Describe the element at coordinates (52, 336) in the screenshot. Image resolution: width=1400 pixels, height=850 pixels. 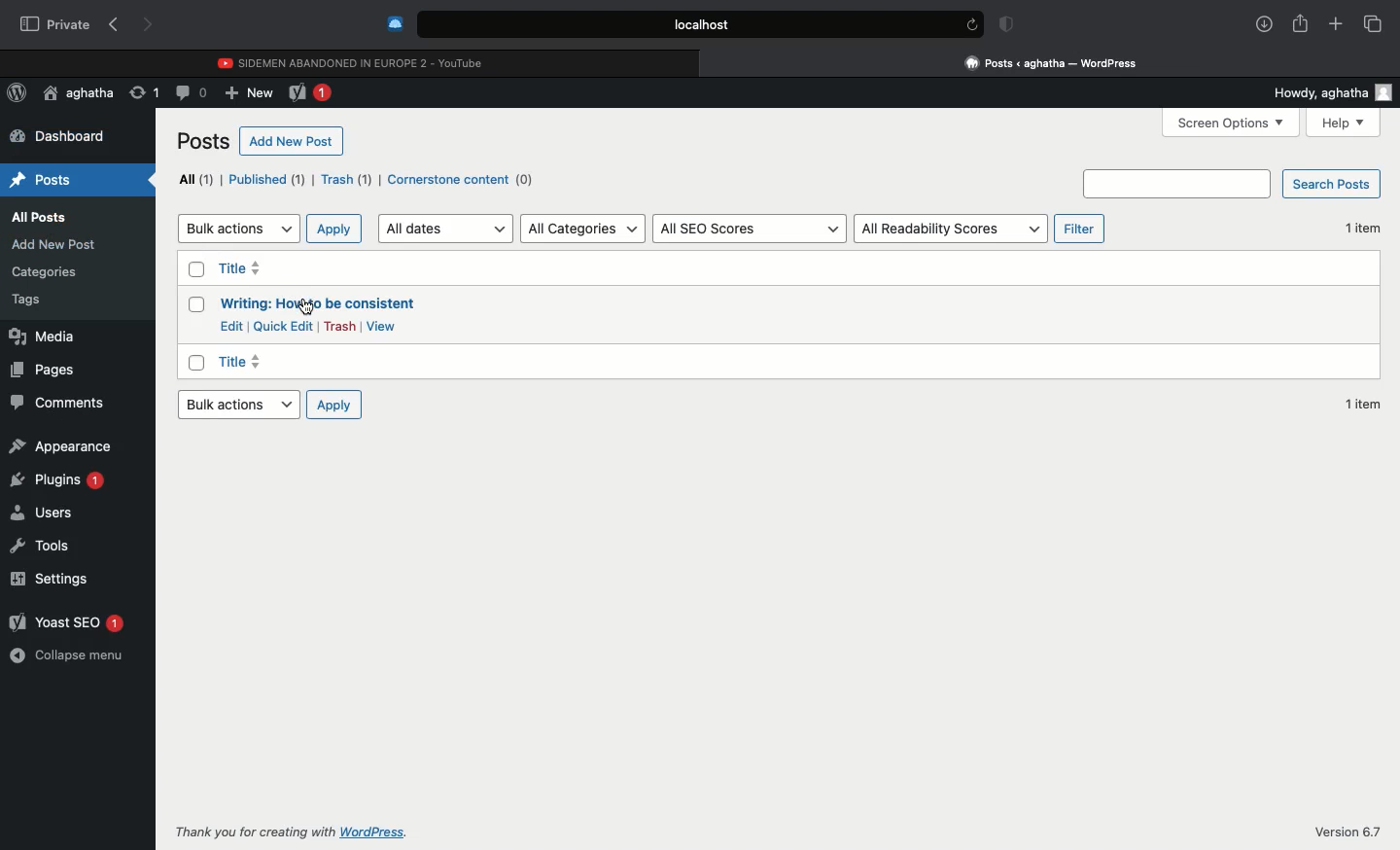
I see `media` at that location.